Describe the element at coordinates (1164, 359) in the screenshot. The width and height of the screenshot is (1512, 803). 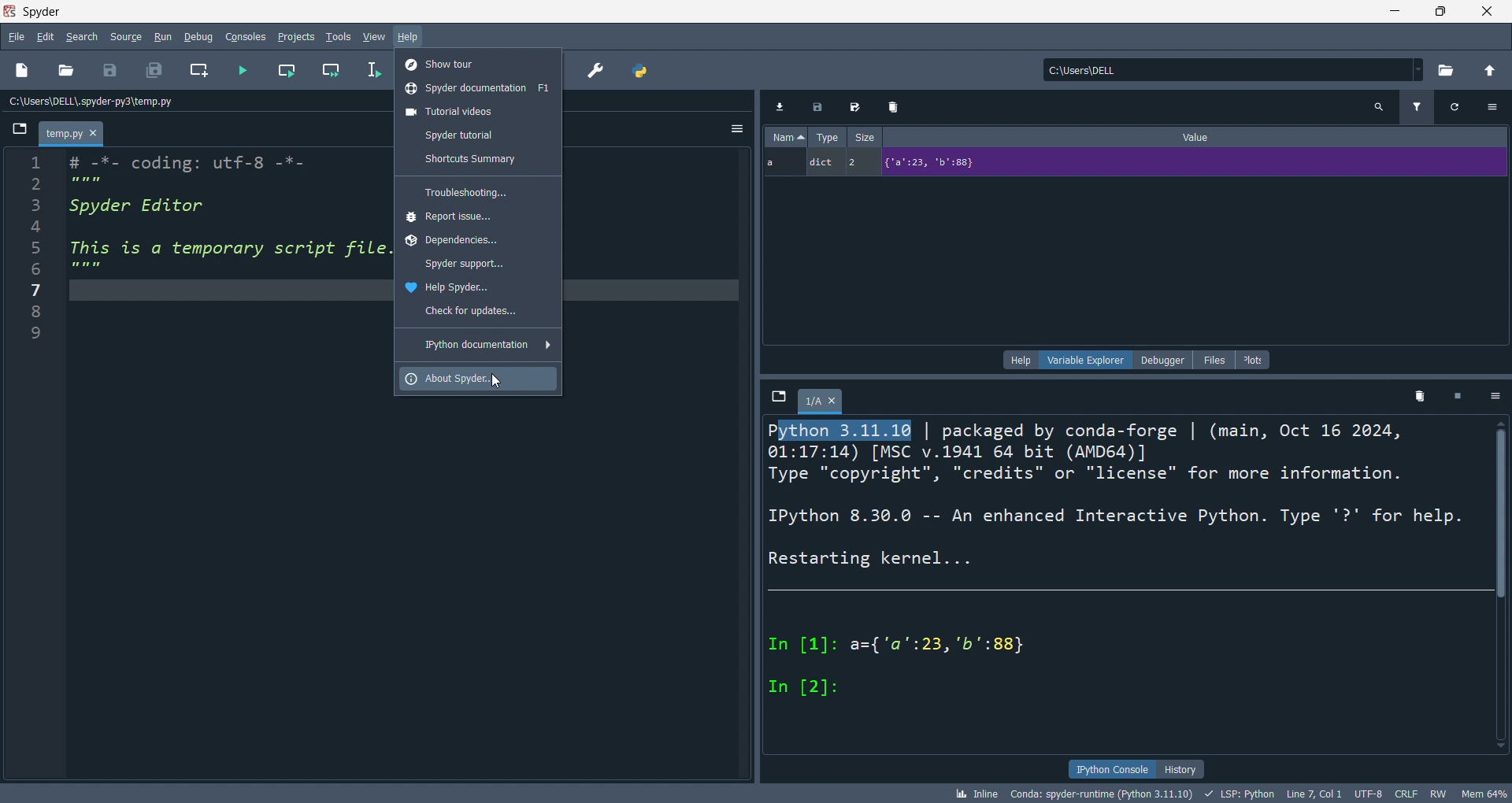
I see `debugger` at that location.